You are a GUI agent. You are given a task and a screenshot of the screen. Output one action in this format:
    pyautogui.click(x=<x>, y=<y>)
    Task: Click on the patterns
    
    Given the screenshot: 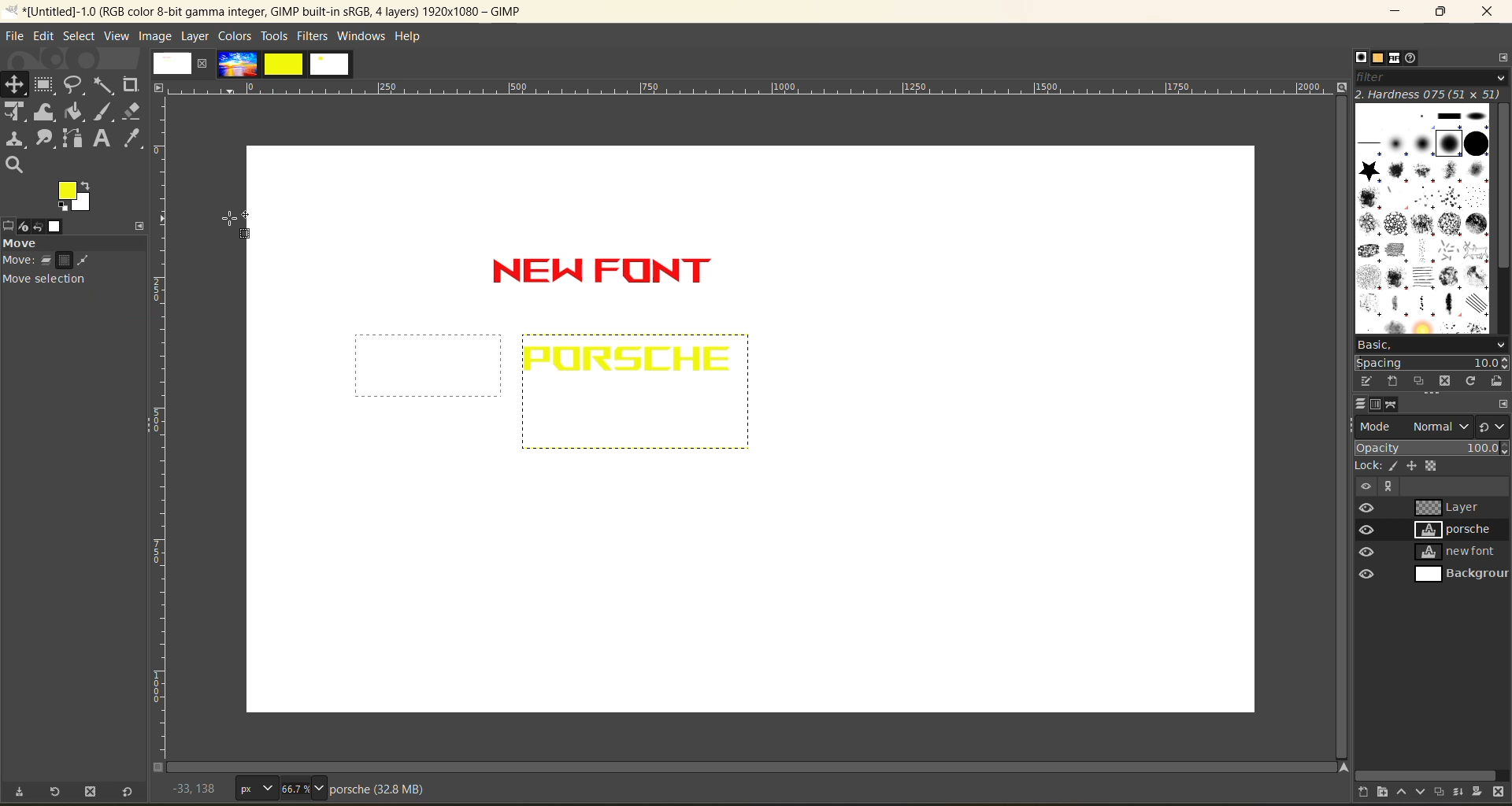 What is the action you would take?
    pyautogui.click(x=1374, y=58)
    